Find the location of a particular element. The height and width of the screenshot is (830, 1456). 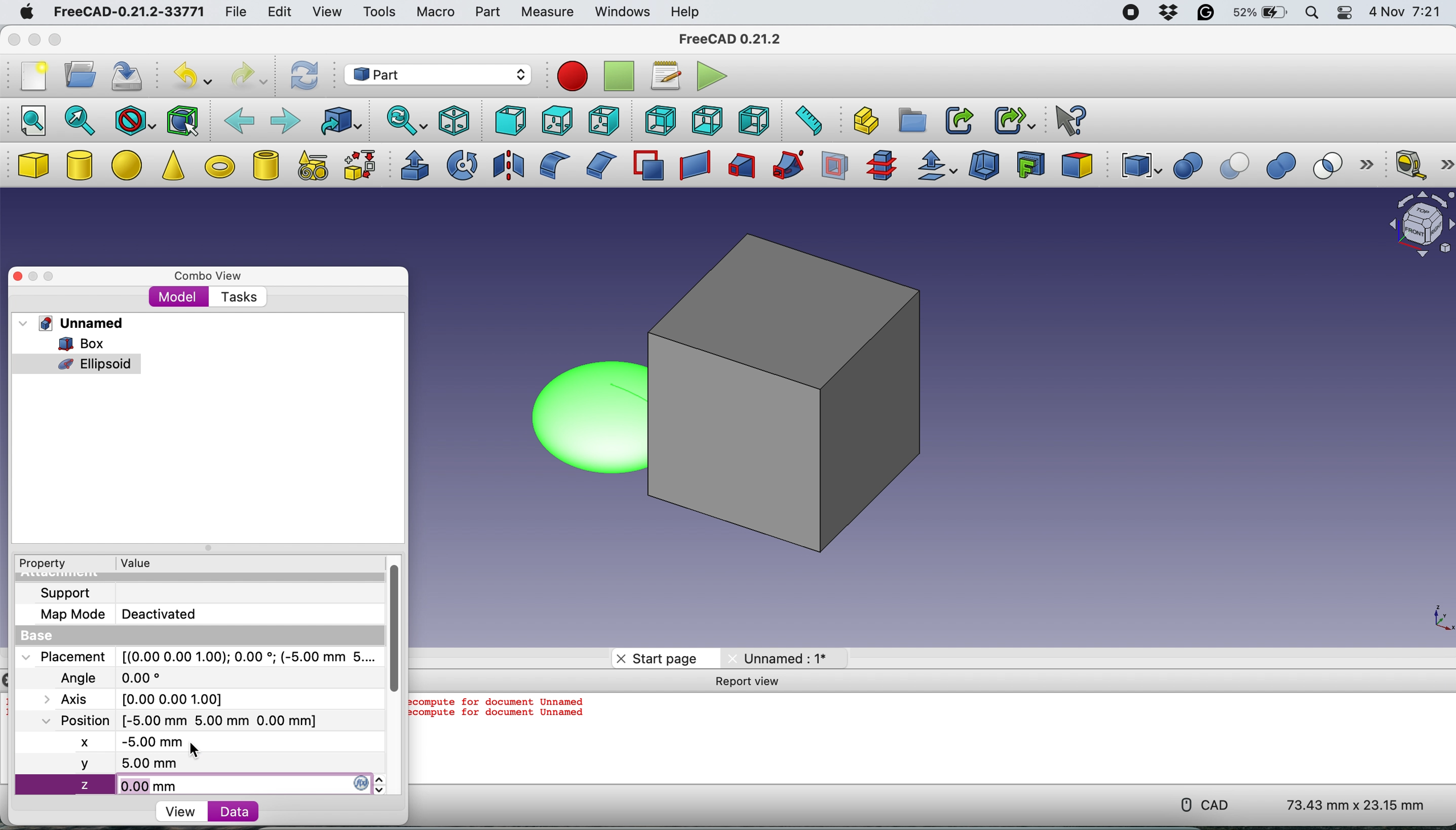

screen recorder is located at coordinates (1130, 14).